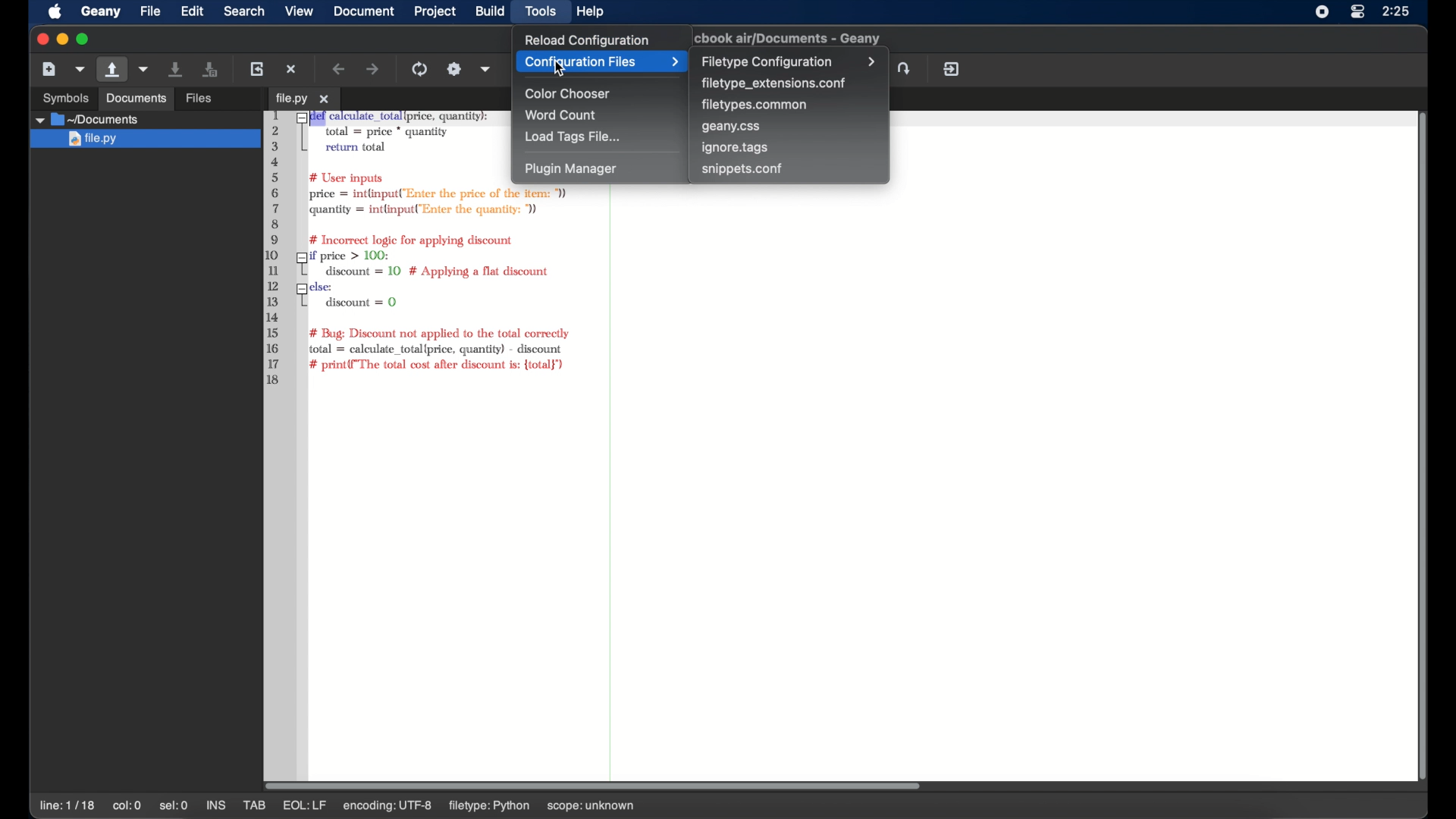 Image resolution: width=1456 pixels, height=819 pixels. Describe the element at coordinates (601, 62) in the screenshot. I see `configuration files menu` at that location.